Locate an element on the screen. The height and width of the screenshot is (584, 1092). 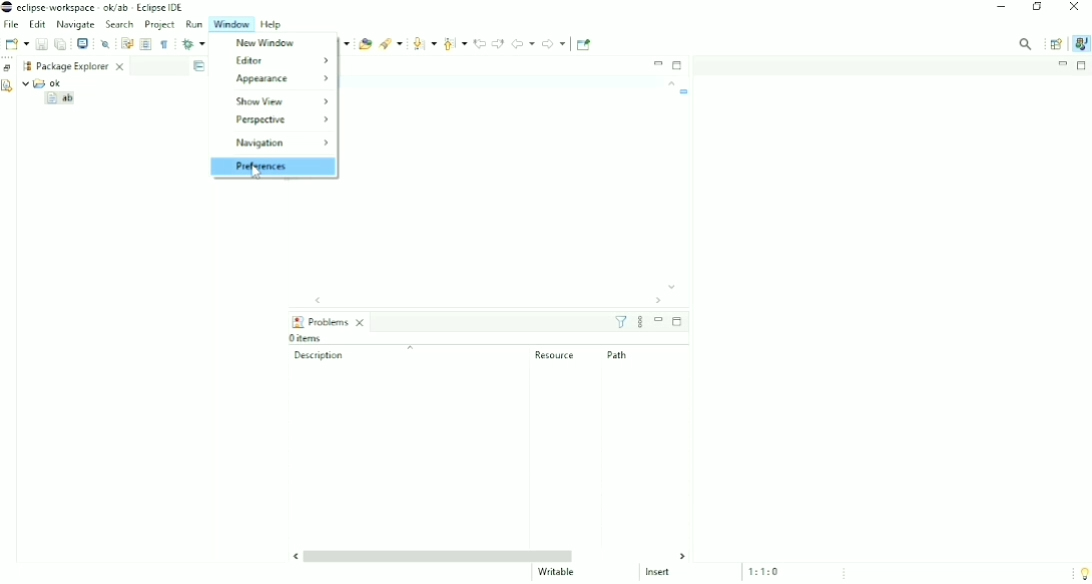
Search is located at coordinates (392, 44).